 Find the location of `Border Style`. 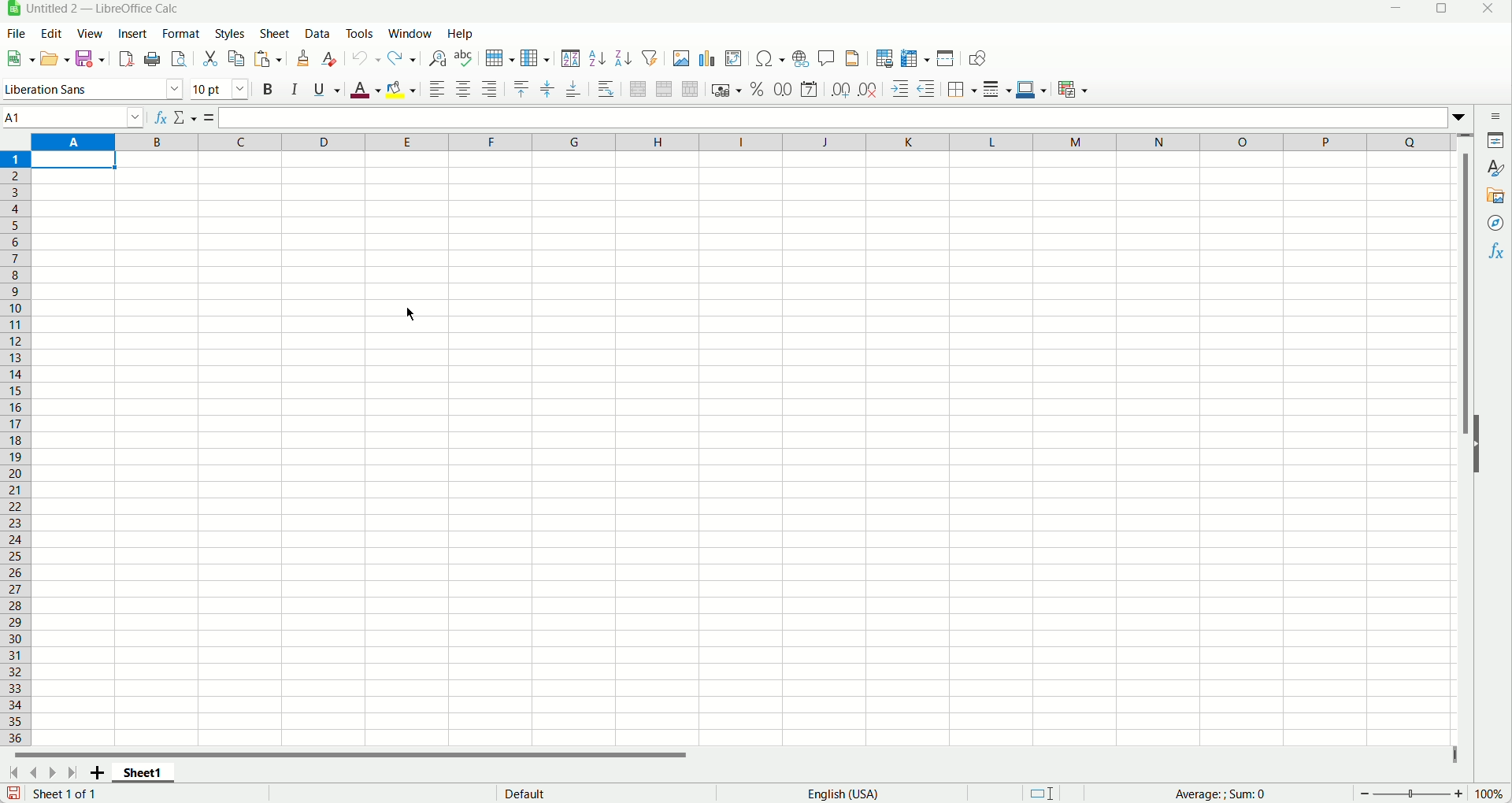

Border Style is located at coordinates (997, 89).